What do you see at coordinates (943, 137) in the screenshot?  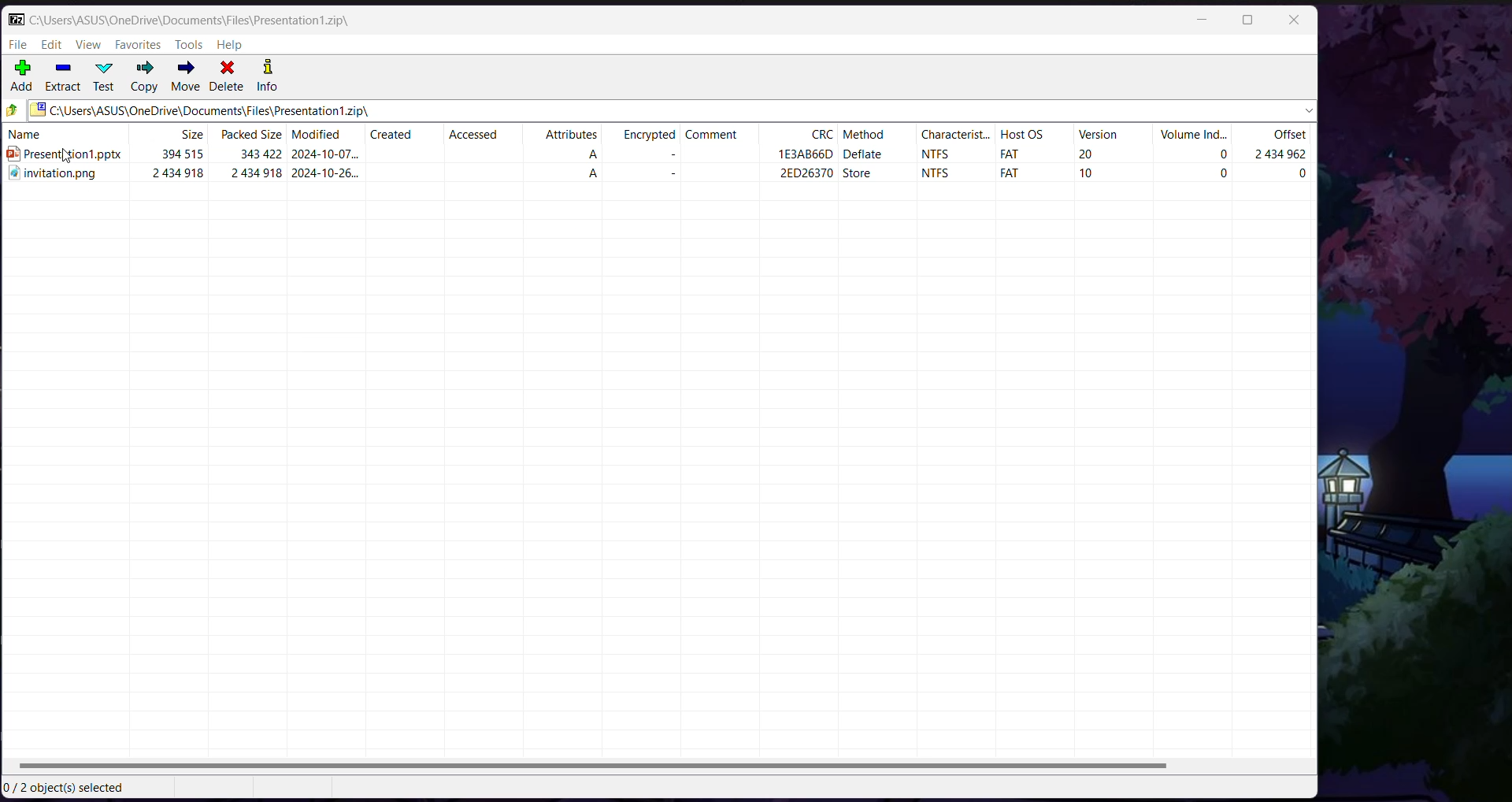 I see `‘characterist` at bounding box center [943, 137].